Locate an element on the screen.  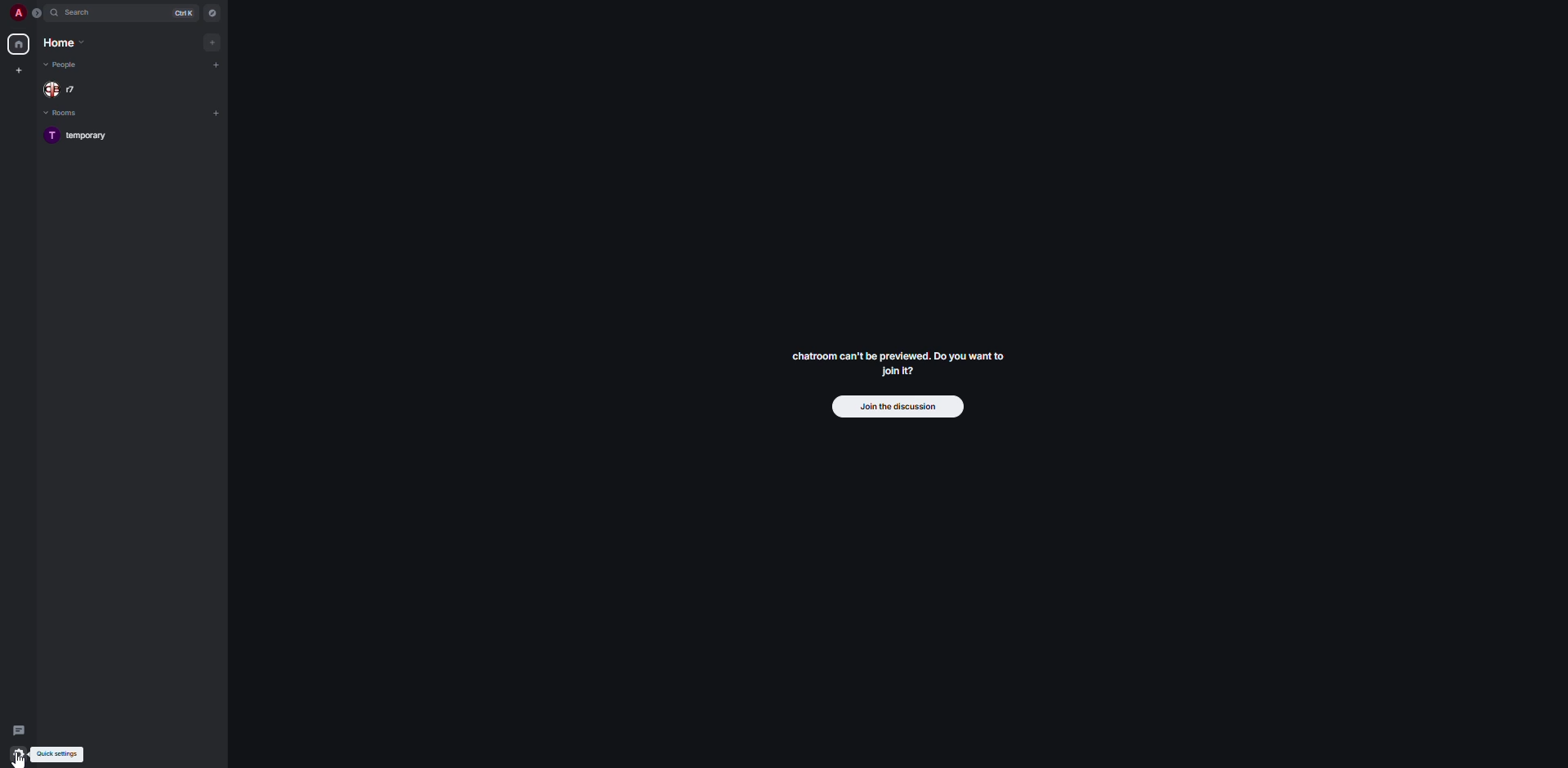
ctrl K is located at coordinates (181, 12).